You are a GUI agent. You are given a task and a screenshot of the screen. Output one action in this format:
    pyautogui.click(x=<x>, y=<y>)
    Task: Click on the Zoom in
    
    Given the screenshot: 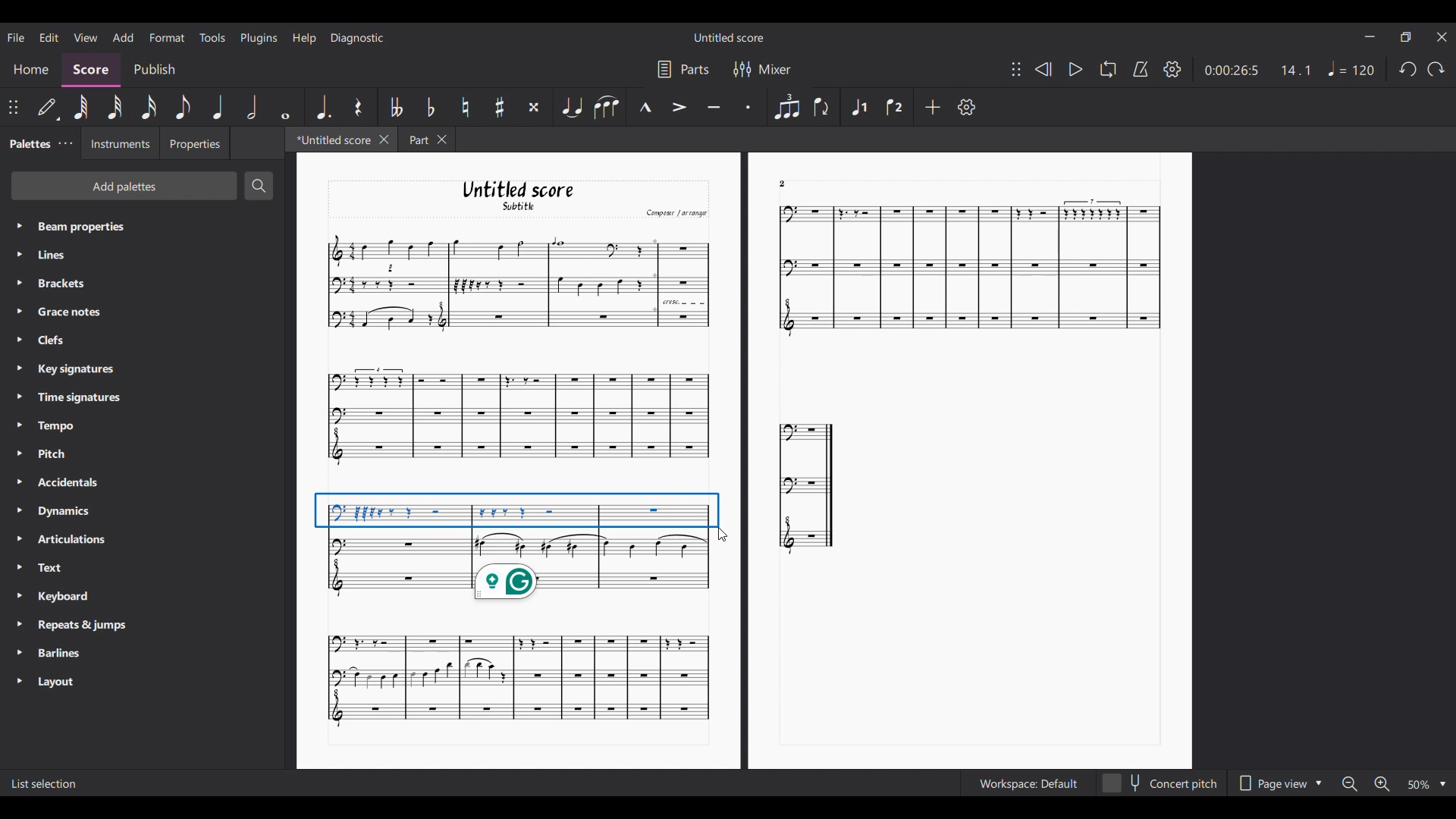 What is the action you would take?
    pyautogui.click(x=1383, y=785)
    